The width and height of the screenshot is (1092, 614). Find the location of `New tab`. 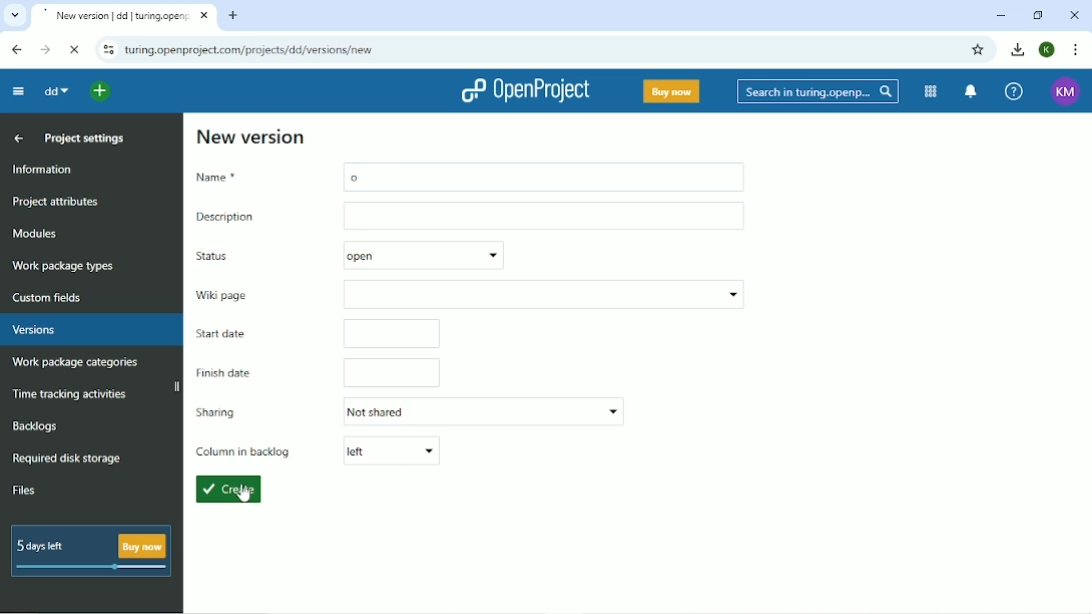

New tab is located at coordinates (235, 16).